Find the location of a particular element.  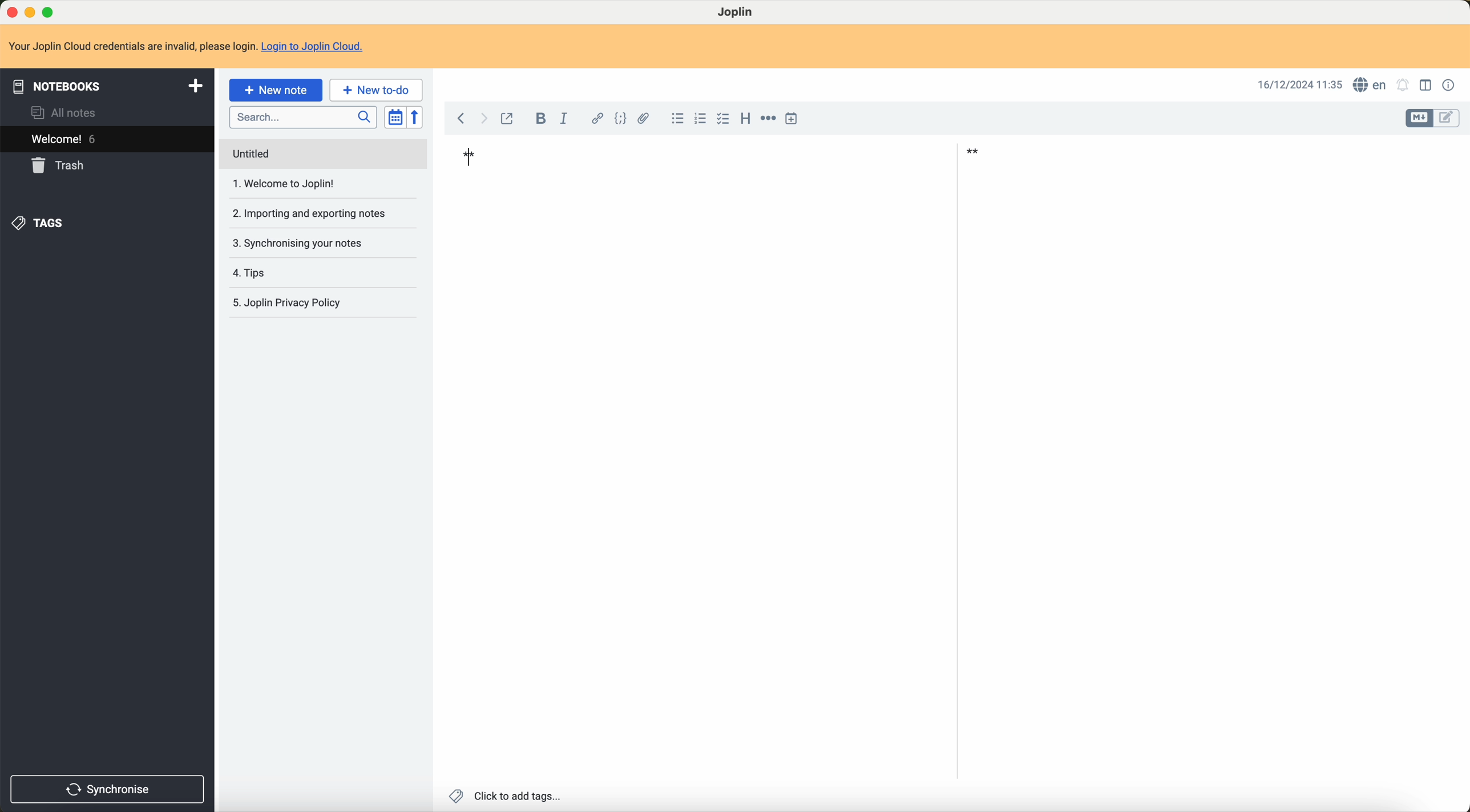

toggle editor is located at coordinates (1447, 120).